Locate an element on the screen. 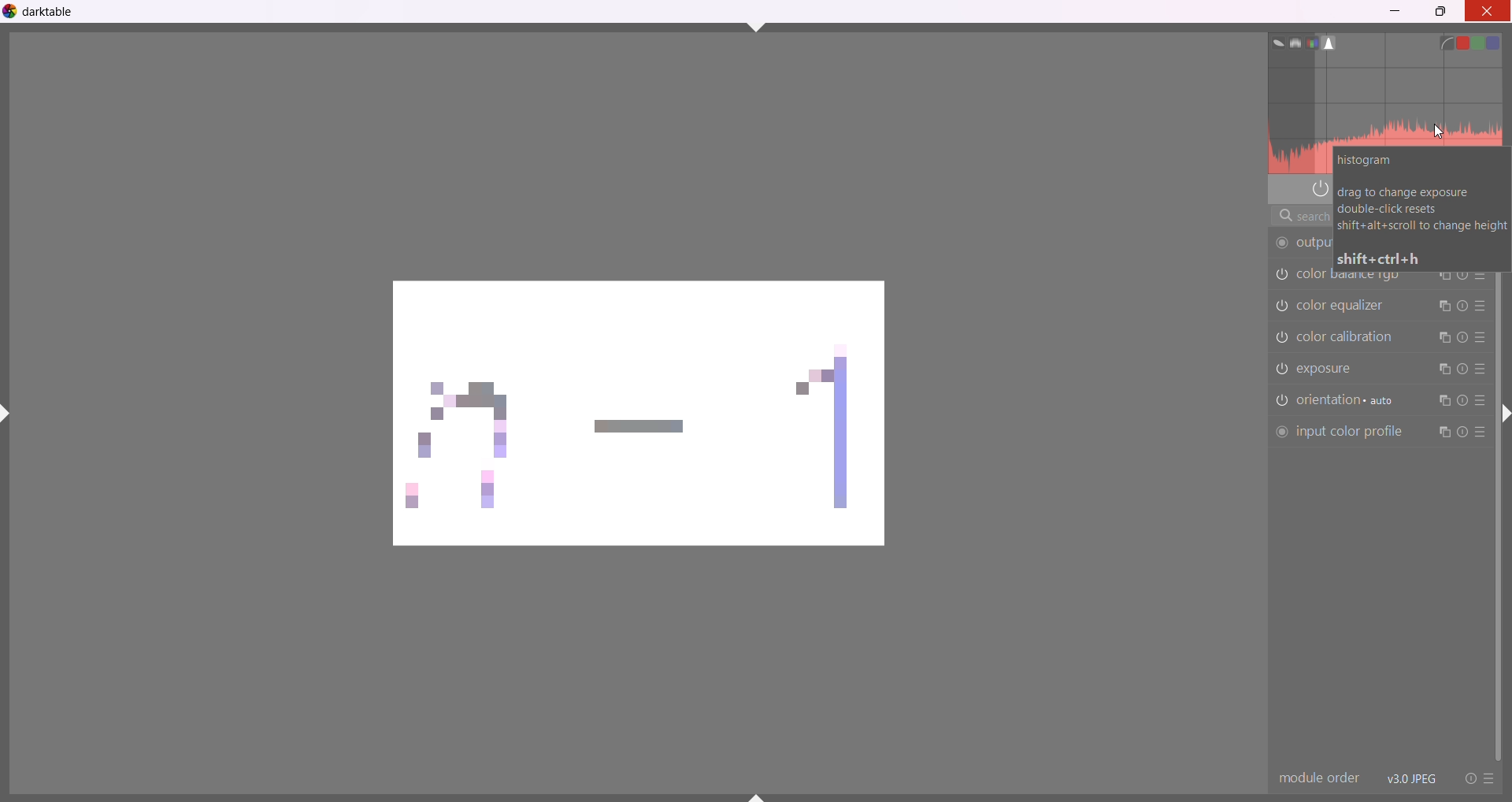 This screenshot has height=802, width=1512. exposure switched off is located at coordinates (1280, 369).